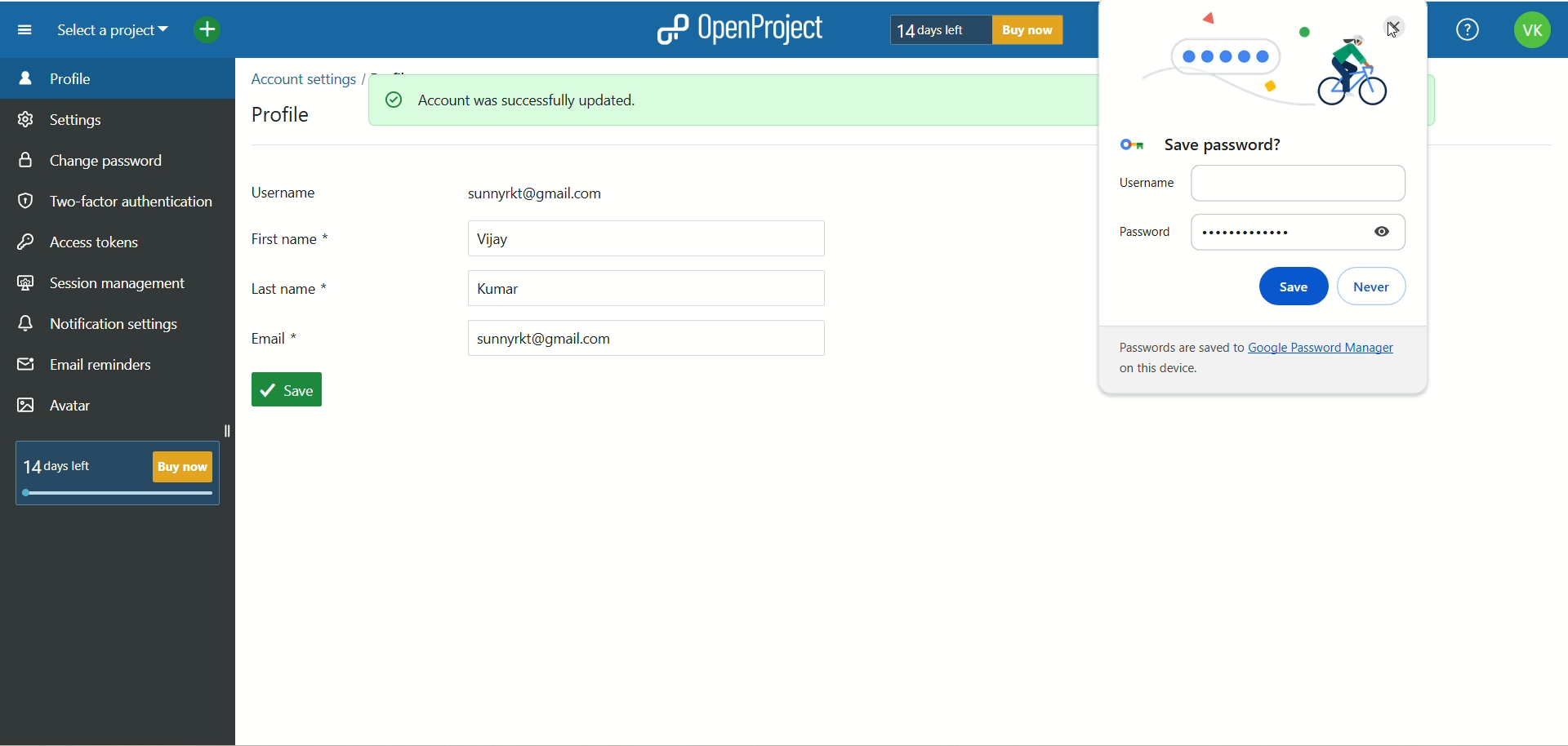 This screenshot has height=746, width=1568. What do you see at coordinates (1380, 286) in the screenshot?
I see `never` at bounding box center [1380, 286].